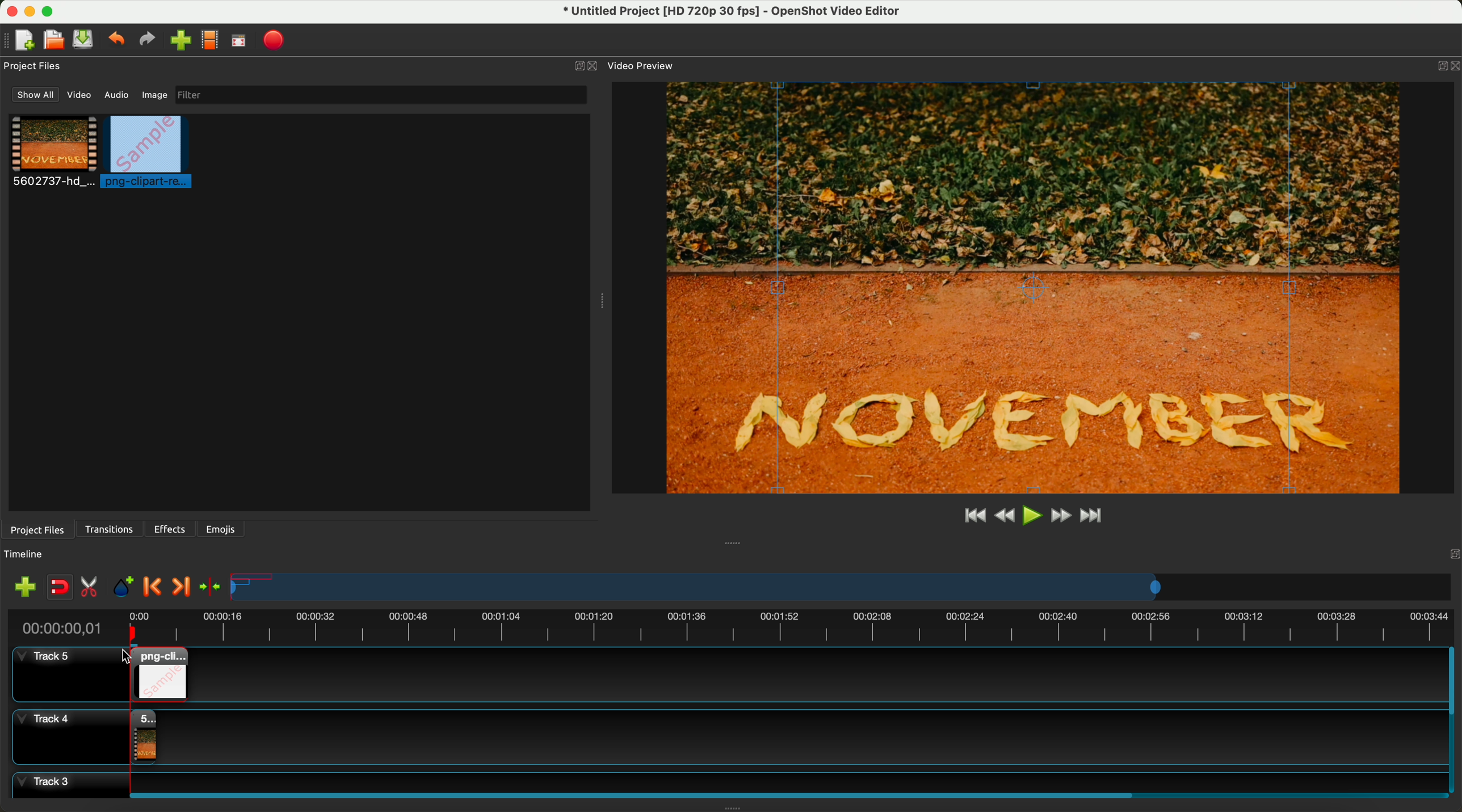  What do you see at coordinates (599, 302) in the screenshot?
I see `Window Expanding` at bounding box center [599, 302].